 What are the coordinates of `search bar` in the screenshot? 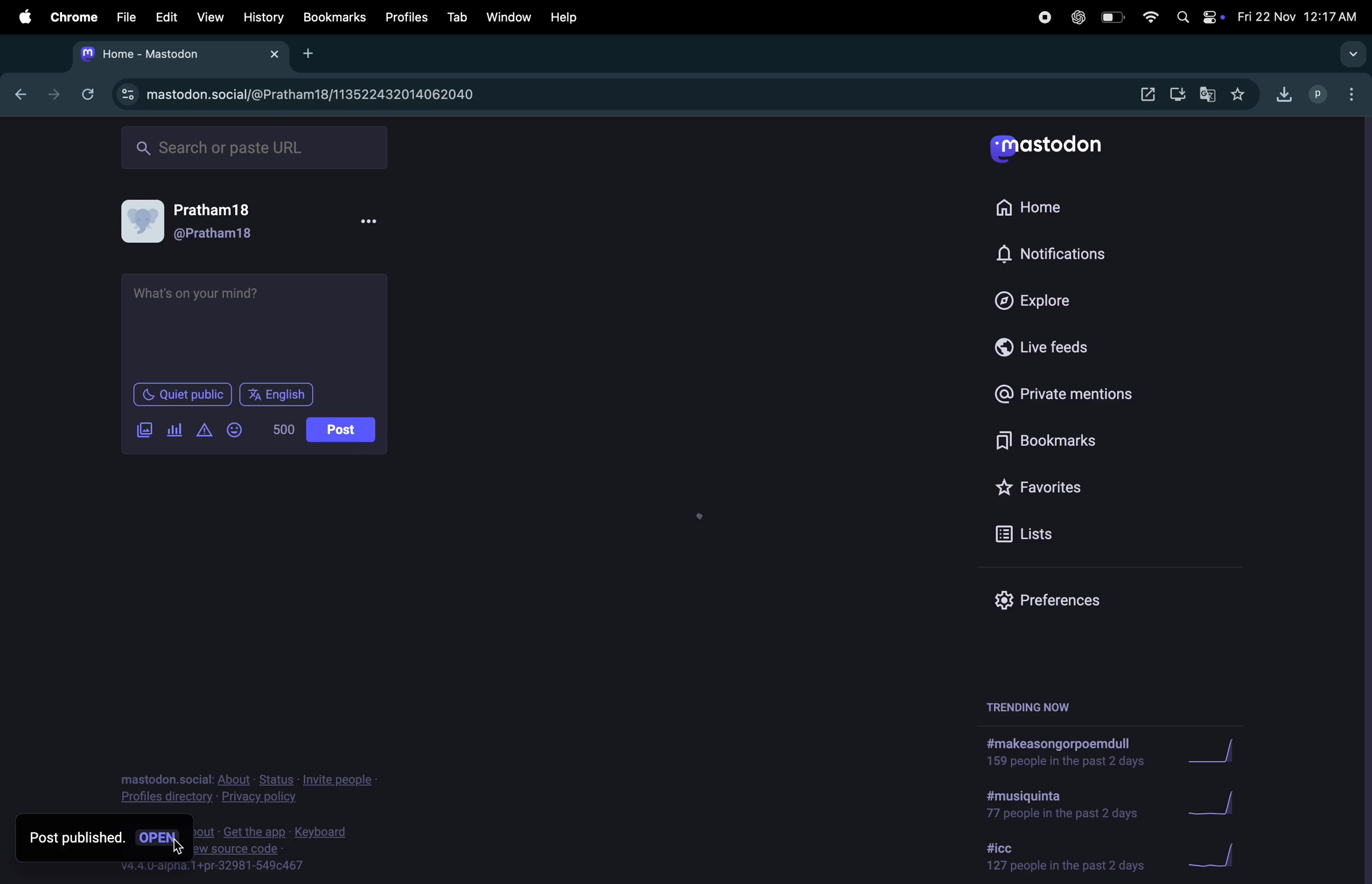 It's located at (253, 148).